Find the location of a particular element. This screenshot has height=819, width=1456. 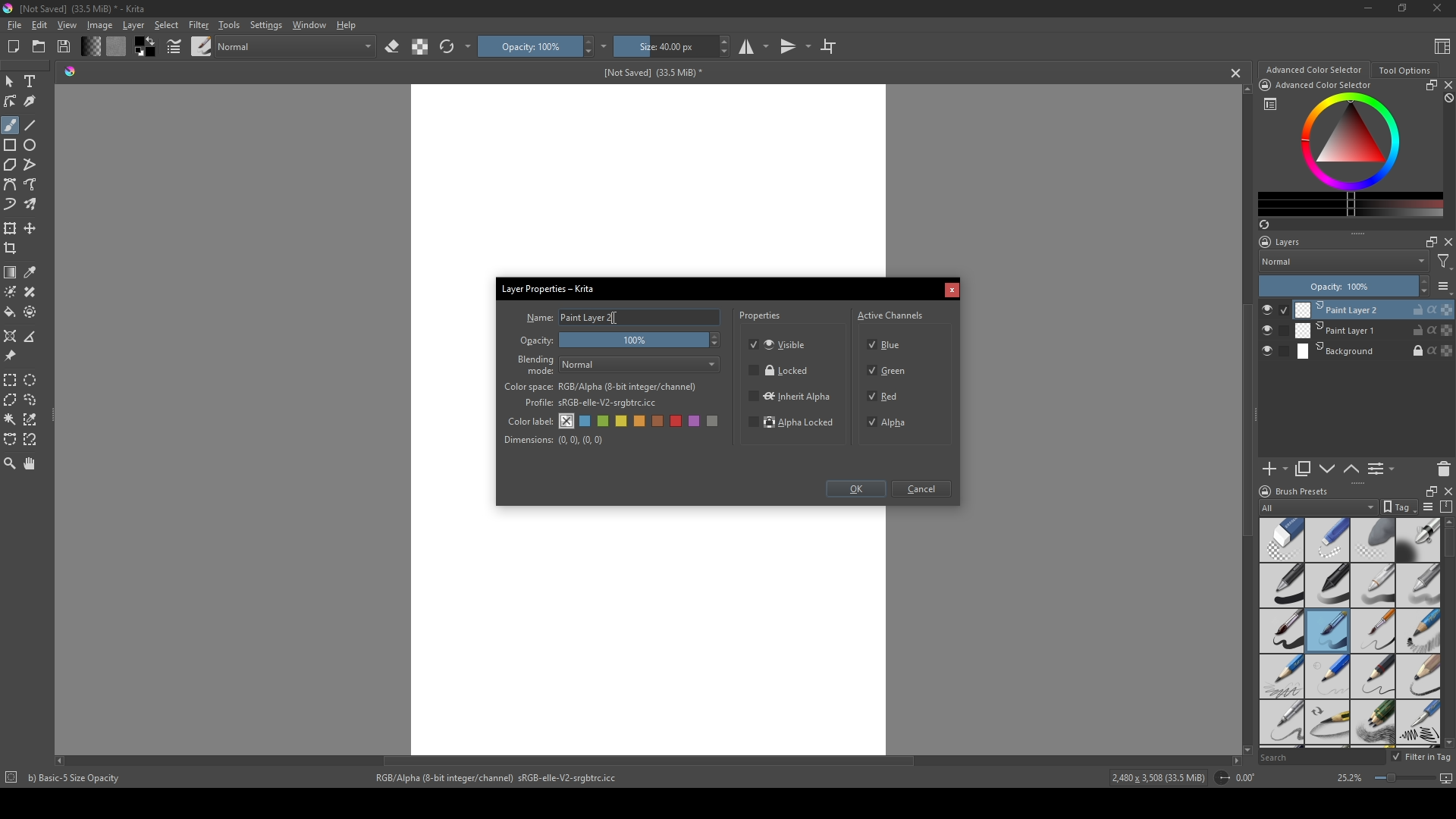

Tool Options is located at coordinates (1404, 71).